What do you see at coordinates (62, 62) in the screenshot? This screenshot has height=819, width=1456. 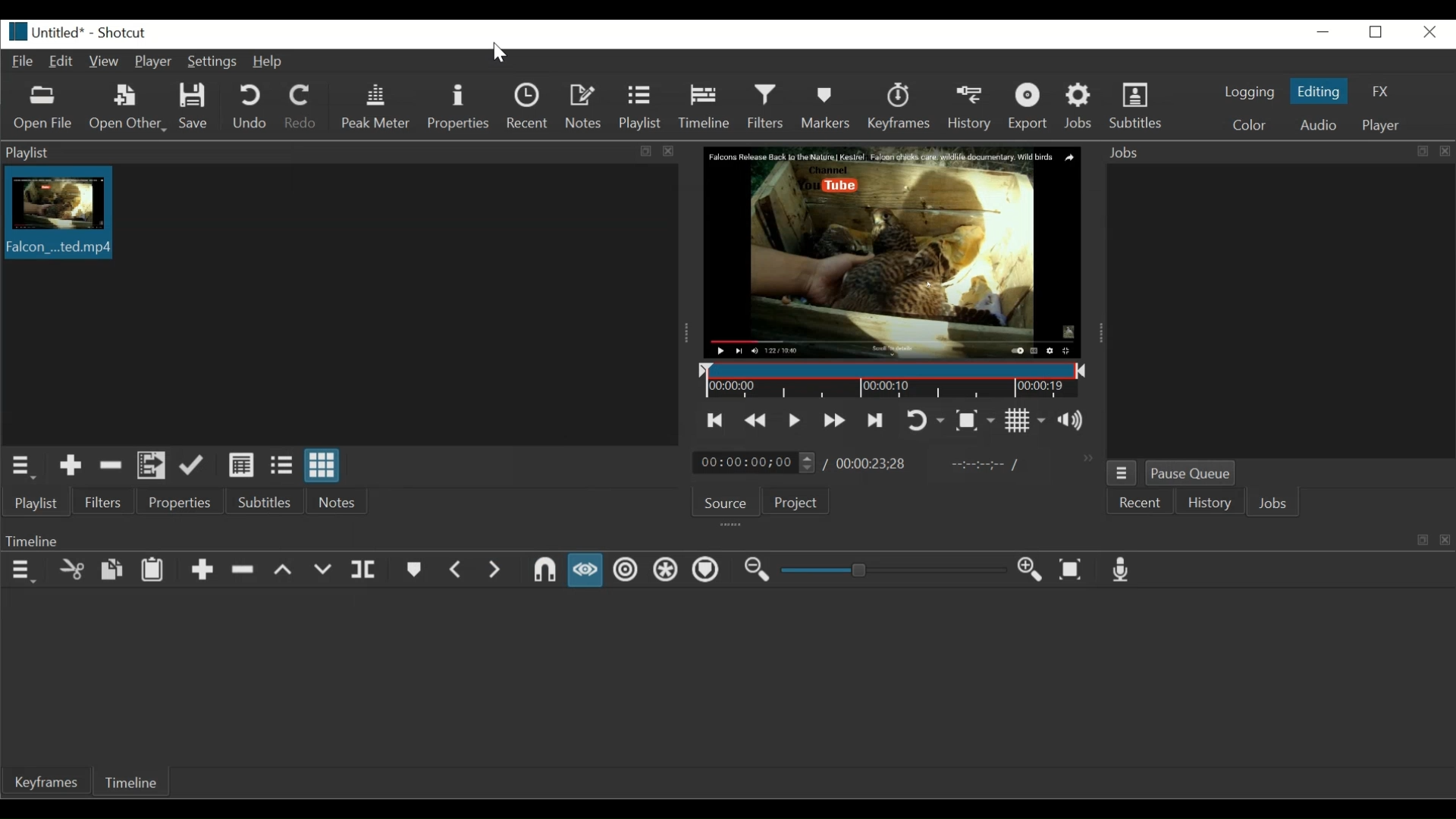 I see `Edit` at bounding box center [62, 62].